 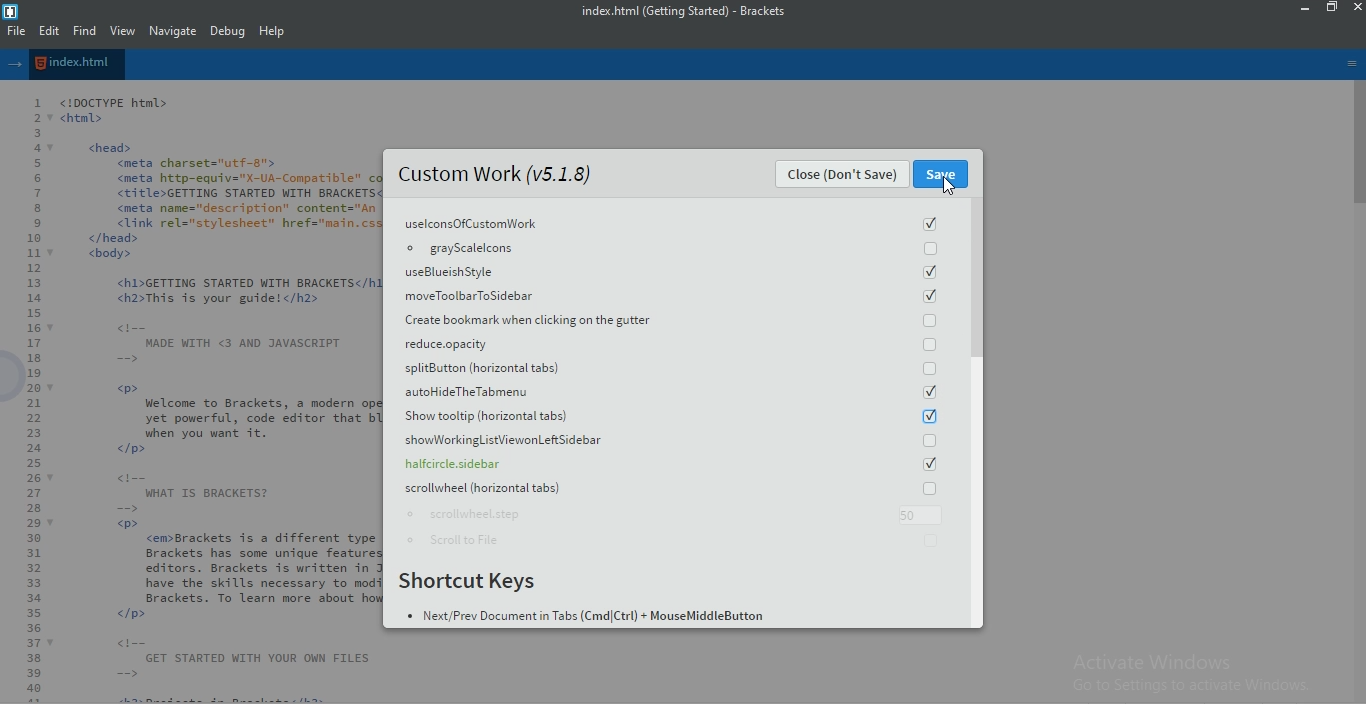 I want to click on Create bookmark when clicking on the gutter, so click(x=672, y=319).